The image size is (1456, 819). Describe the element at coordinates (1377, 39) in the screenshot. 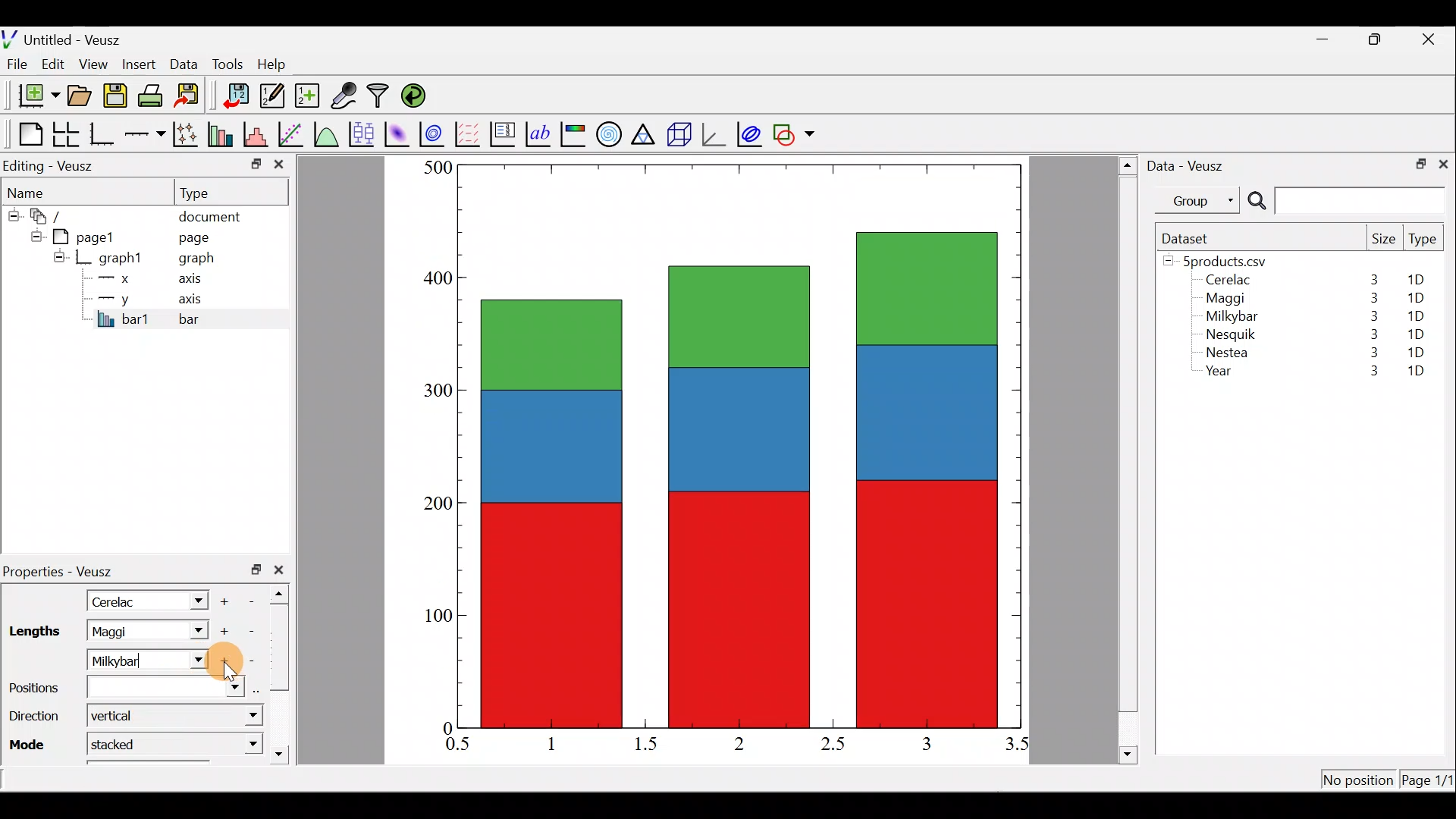

I see `restore down` at that location.